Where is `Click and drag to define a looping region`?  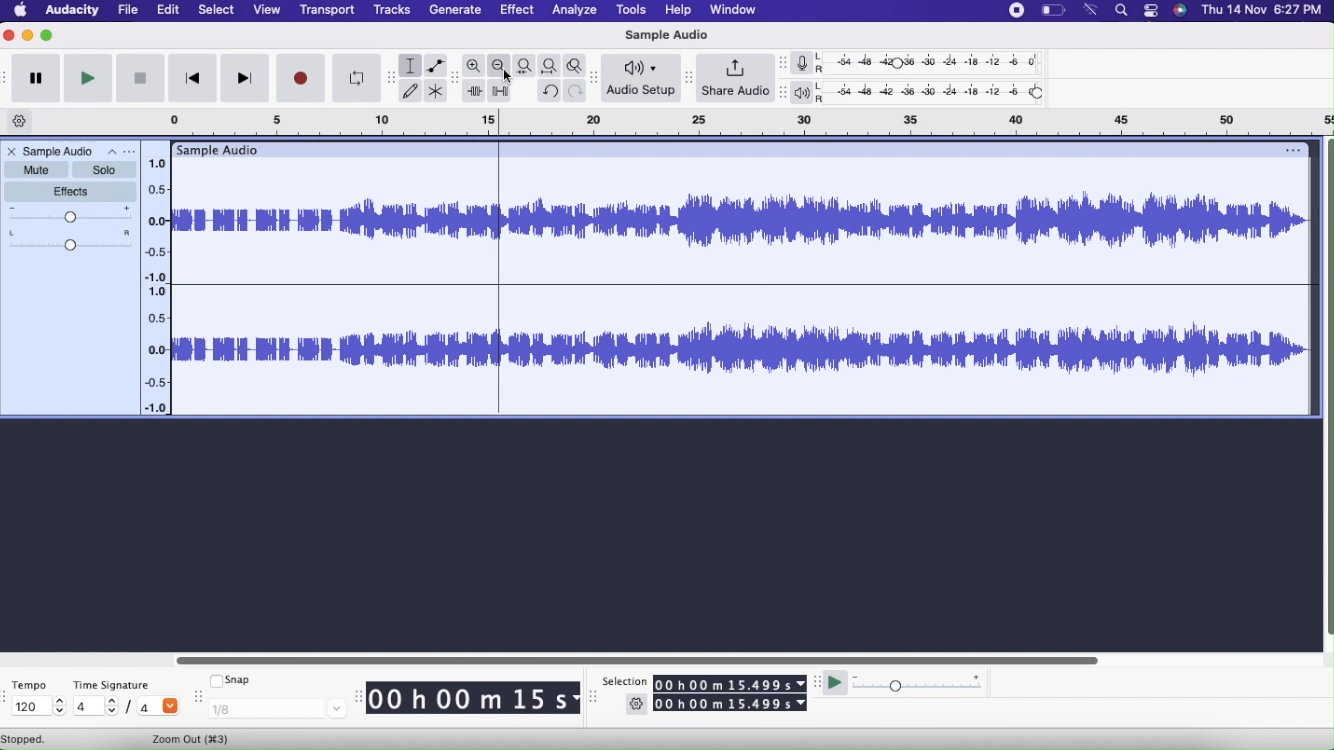
Click and drag to define a looping region is located at coordinates (762, 122).